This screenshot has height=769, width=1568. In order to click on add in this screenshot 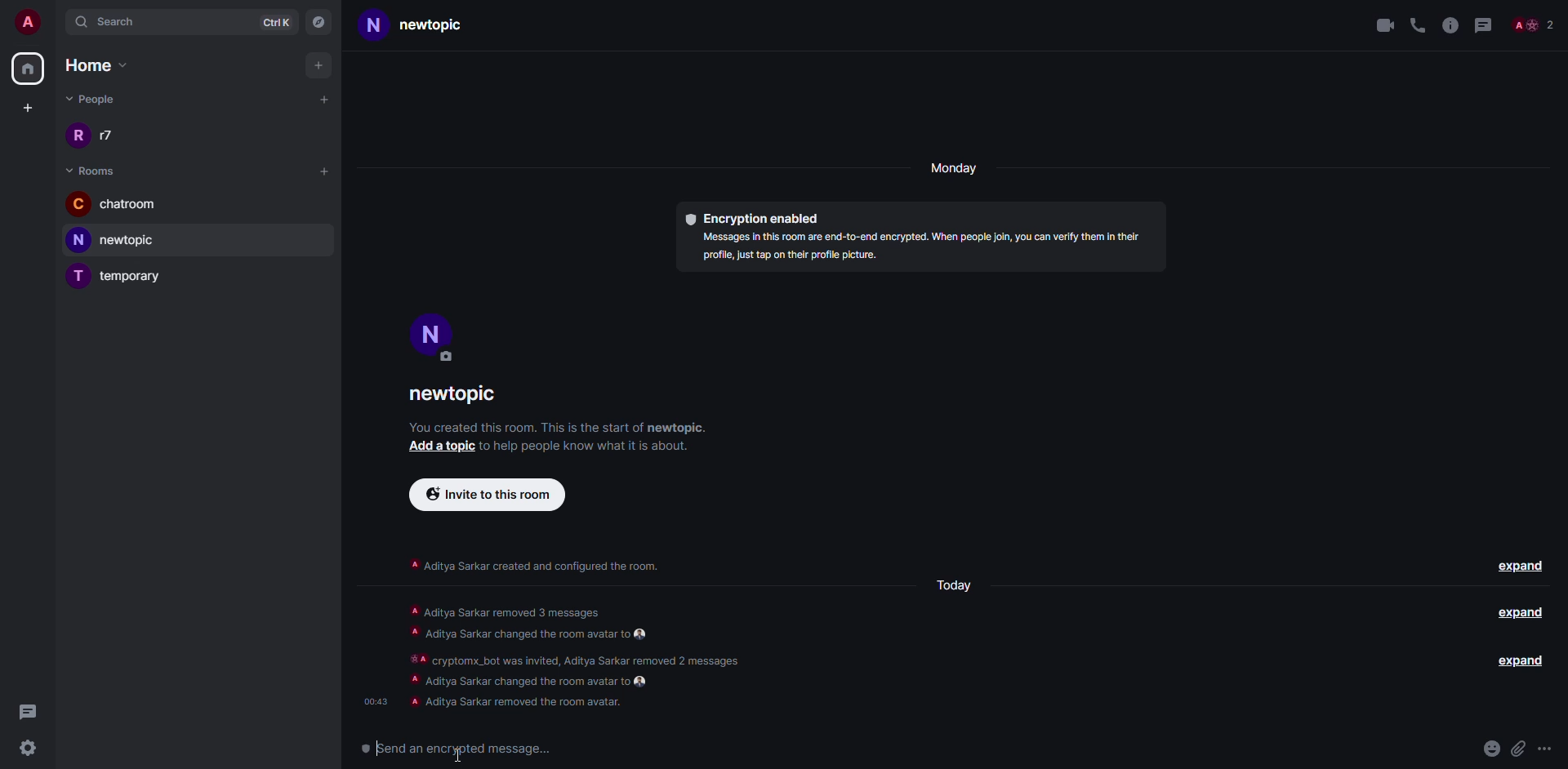, I will do `click(320, 65)`.